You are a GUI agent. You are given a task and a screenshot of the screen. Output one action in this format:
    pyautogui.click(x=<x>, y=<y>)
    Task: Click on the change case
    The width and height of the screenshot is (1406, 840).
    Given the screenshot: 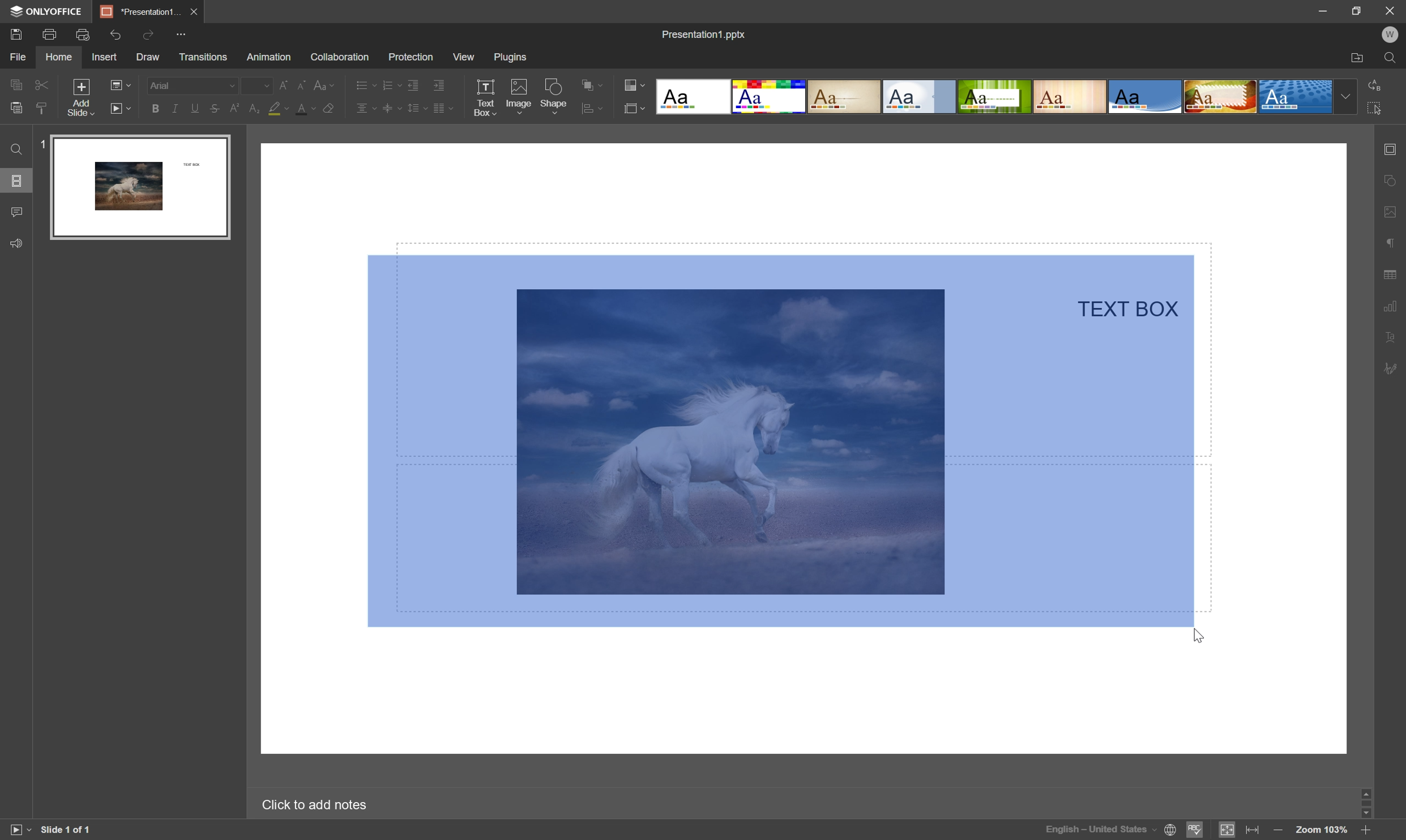 What is the action you would take?
    pyautogui.click(x=326, y=84)
    